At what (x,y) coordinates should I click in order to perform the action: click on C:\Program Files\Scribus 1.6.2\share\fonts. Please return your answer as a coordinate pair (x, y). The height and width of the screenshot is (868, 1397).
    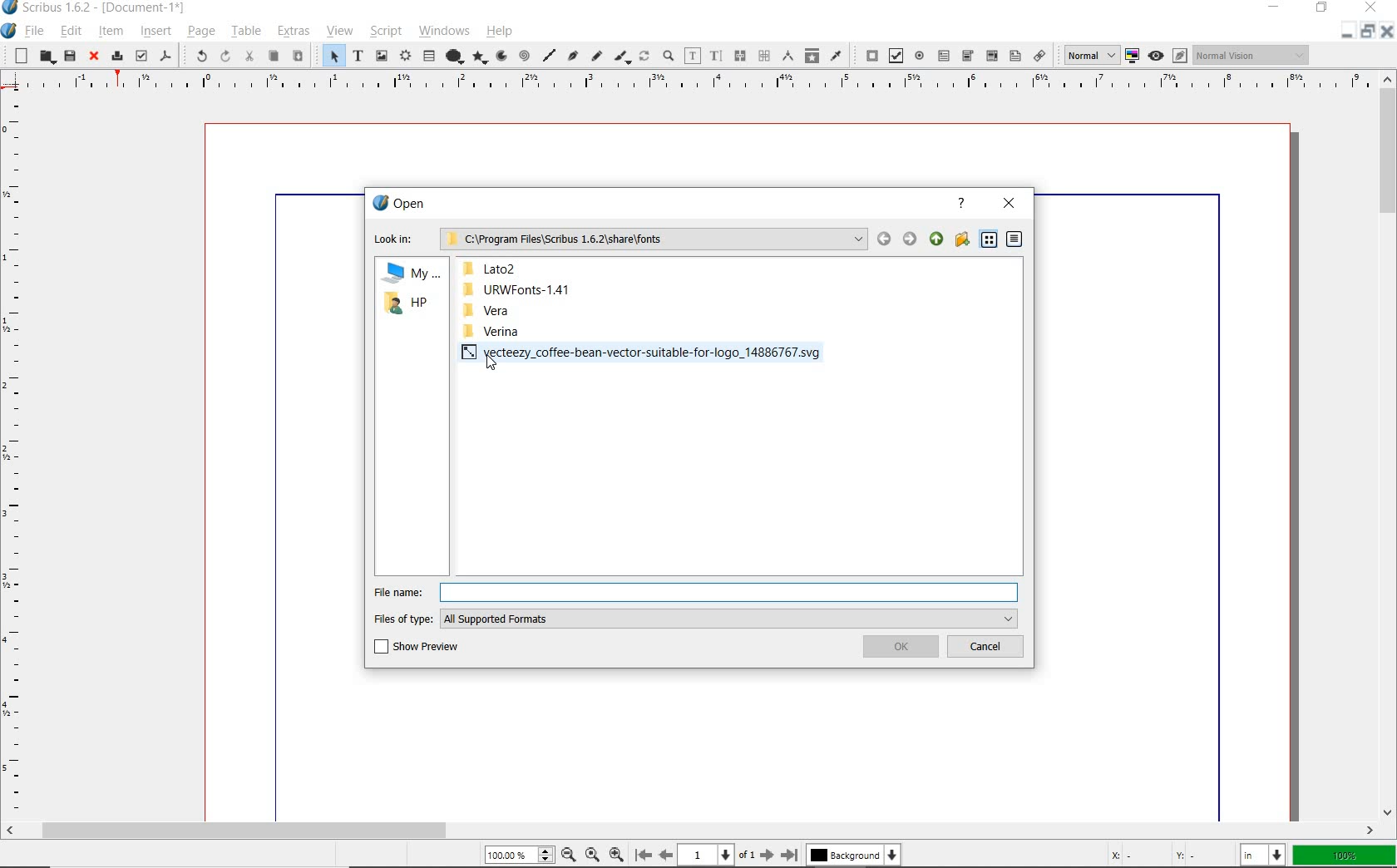
    Looking at the image, I should click on (654, 239).